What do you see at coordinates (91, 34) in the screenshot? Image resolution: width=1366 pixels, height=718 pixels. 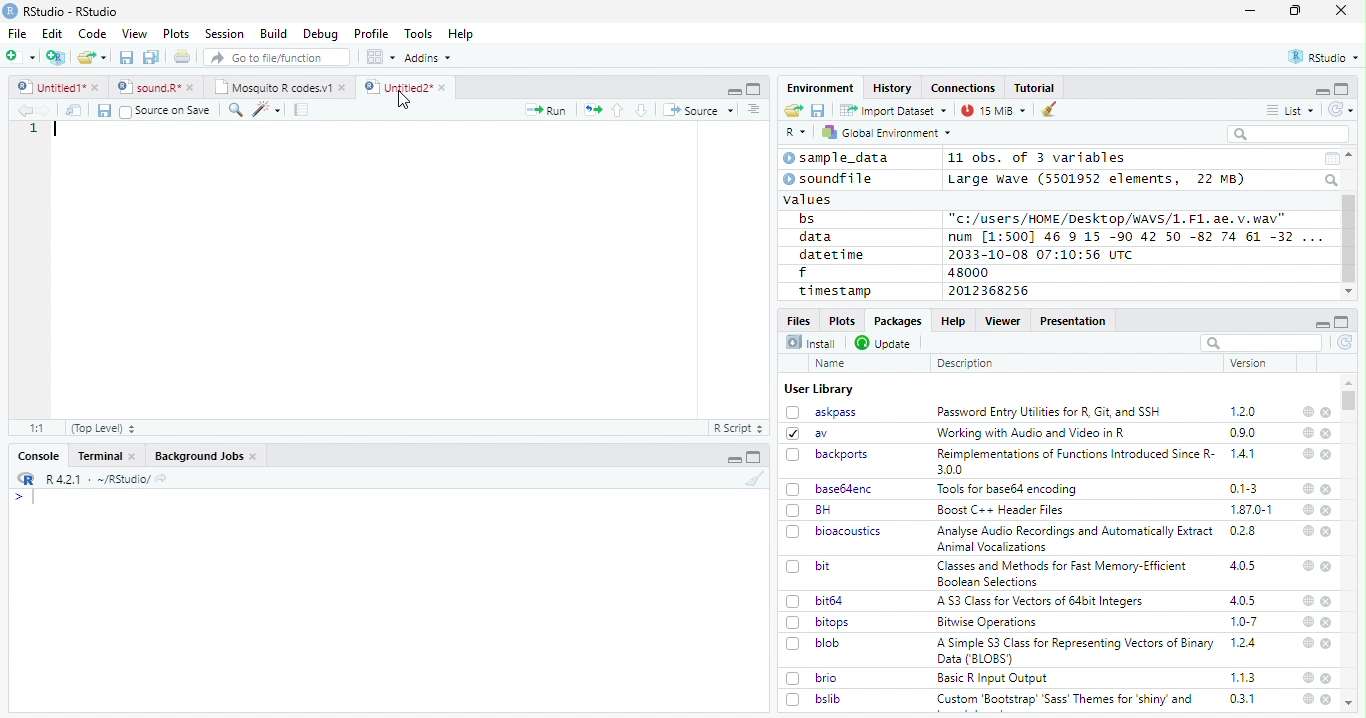 I see `Code` at bounding box center [91, 34].